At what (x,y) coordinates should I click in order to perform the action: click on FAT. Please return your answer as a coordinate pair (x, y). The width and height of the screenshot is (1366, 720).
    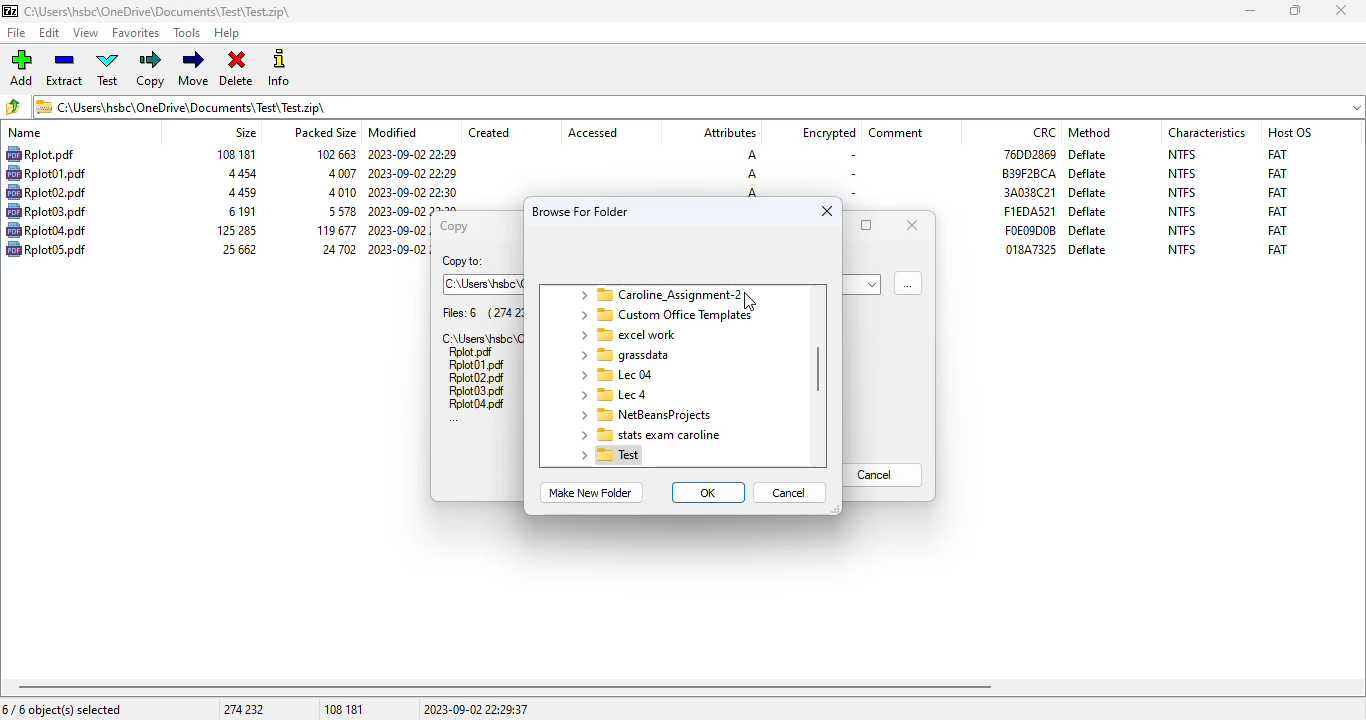
    Looking at the image, I should click on (1277, 173).